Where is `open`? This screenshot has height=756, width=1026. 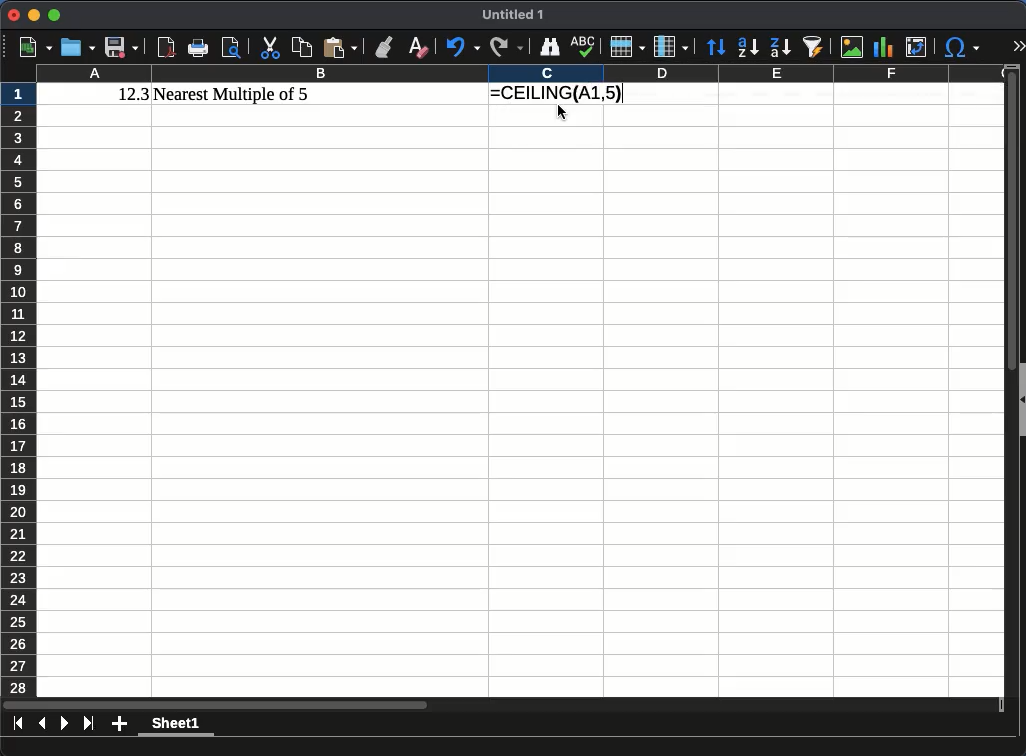 open is located at coordinates (78, 47).